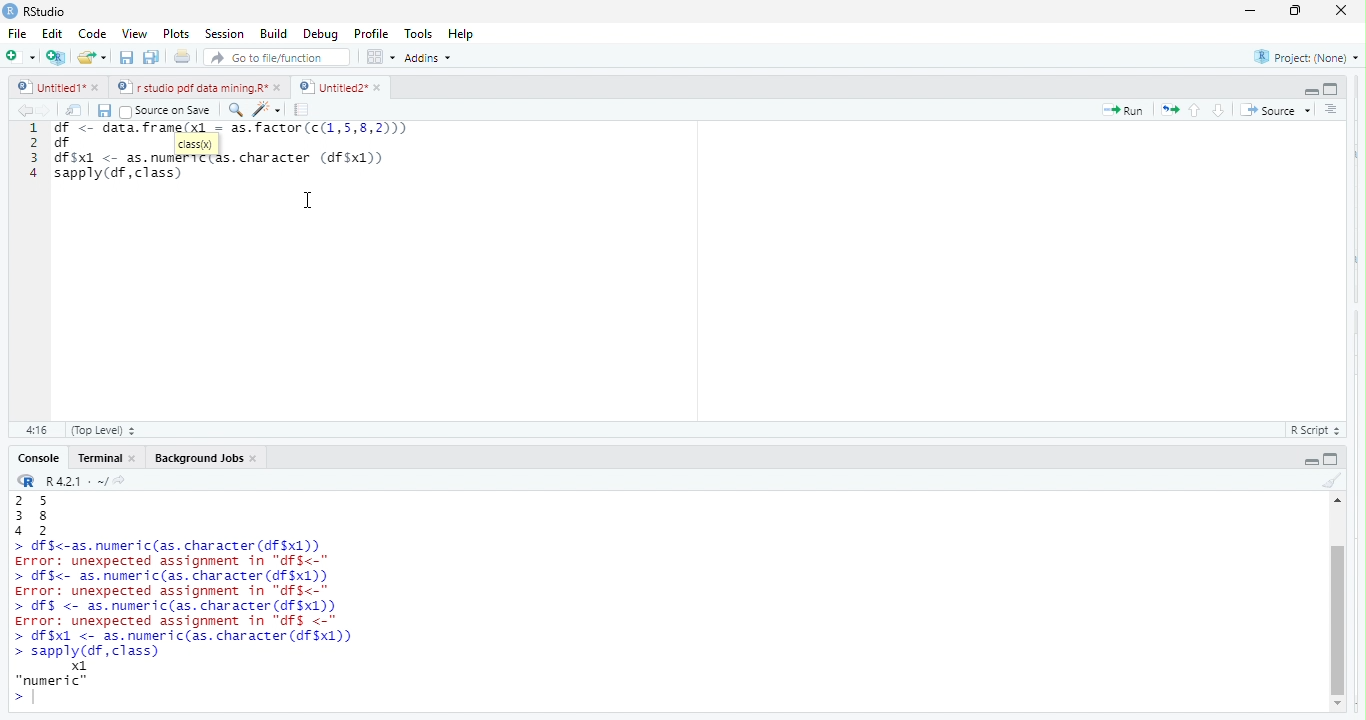 This screenshot has height=720, width=1366. Describe the element at coordinates (370, 32) in the screenshot. I see `profile` at that location.